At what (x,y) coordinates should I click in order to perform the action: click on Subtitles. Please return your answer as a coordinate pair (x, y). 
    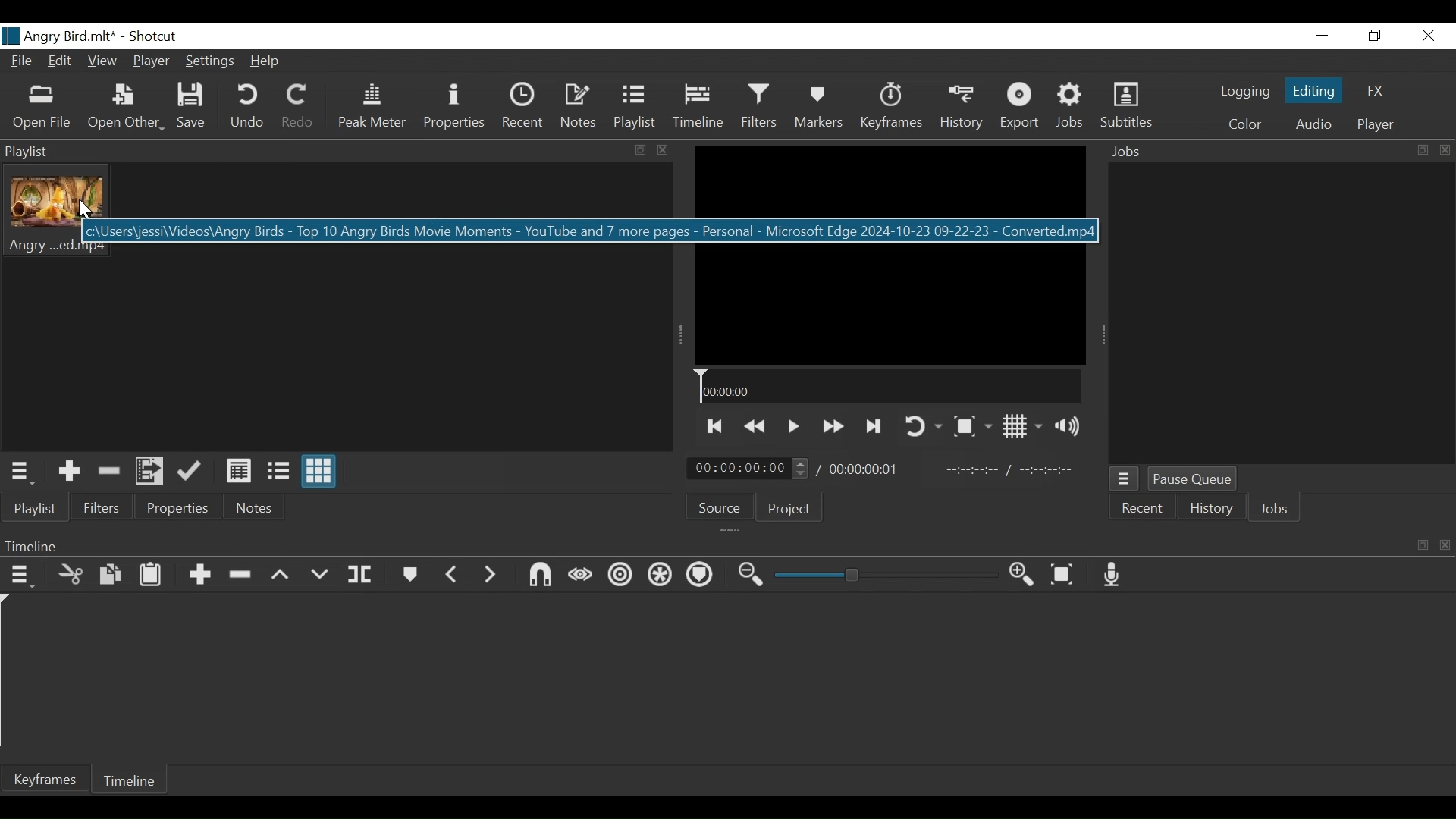
    Looking at the image, I should click on (1126, 105).